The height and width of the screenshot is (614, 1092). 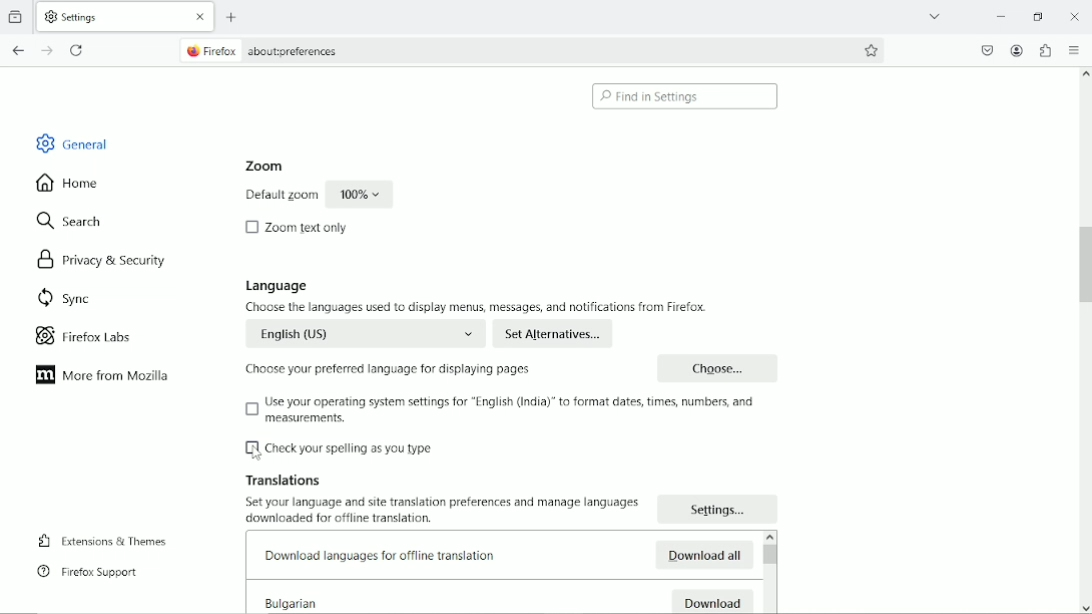 I want to click on Open application menu, so click(x=1073, y=50).